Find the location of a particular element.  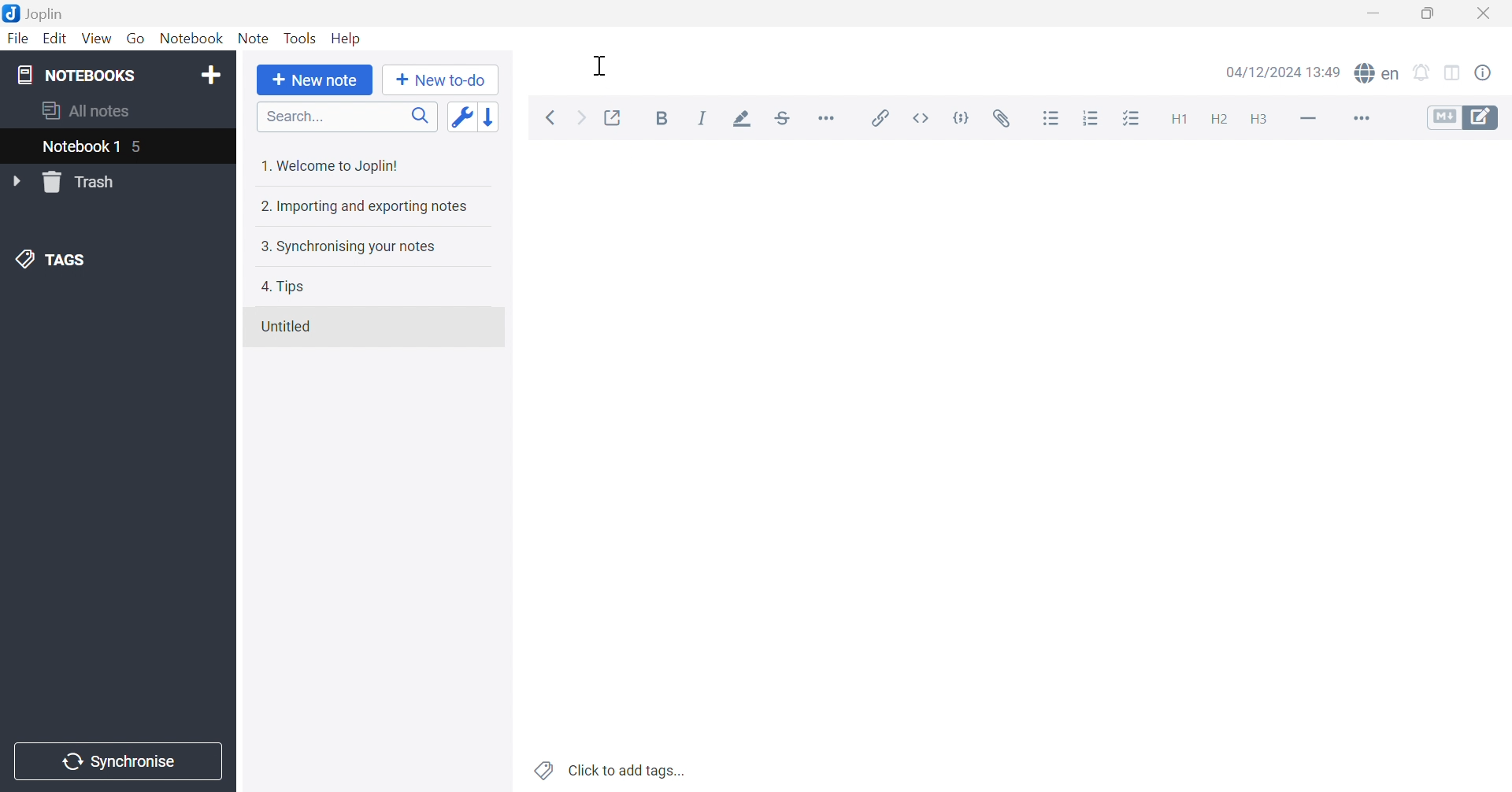

Horizontal lines is located at coordinates (1308, 117).